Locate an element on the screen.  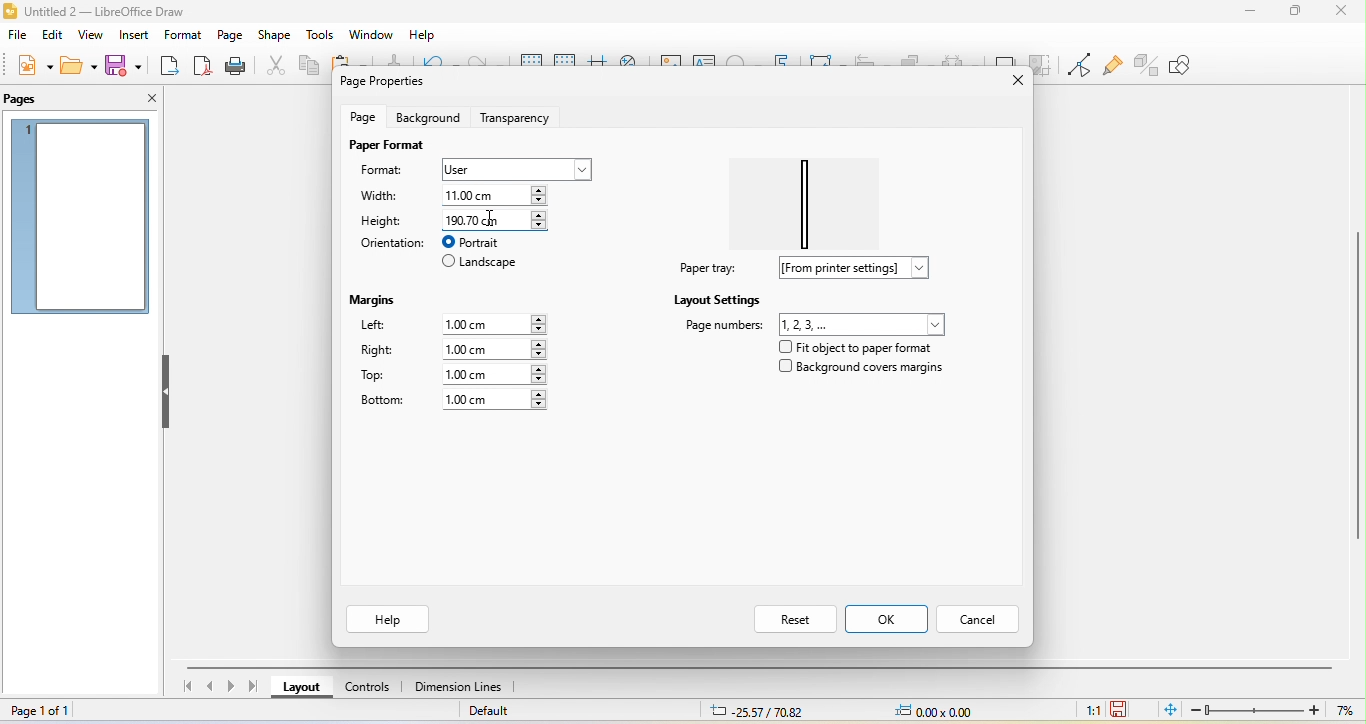
right is located at coordinates (378, 352).